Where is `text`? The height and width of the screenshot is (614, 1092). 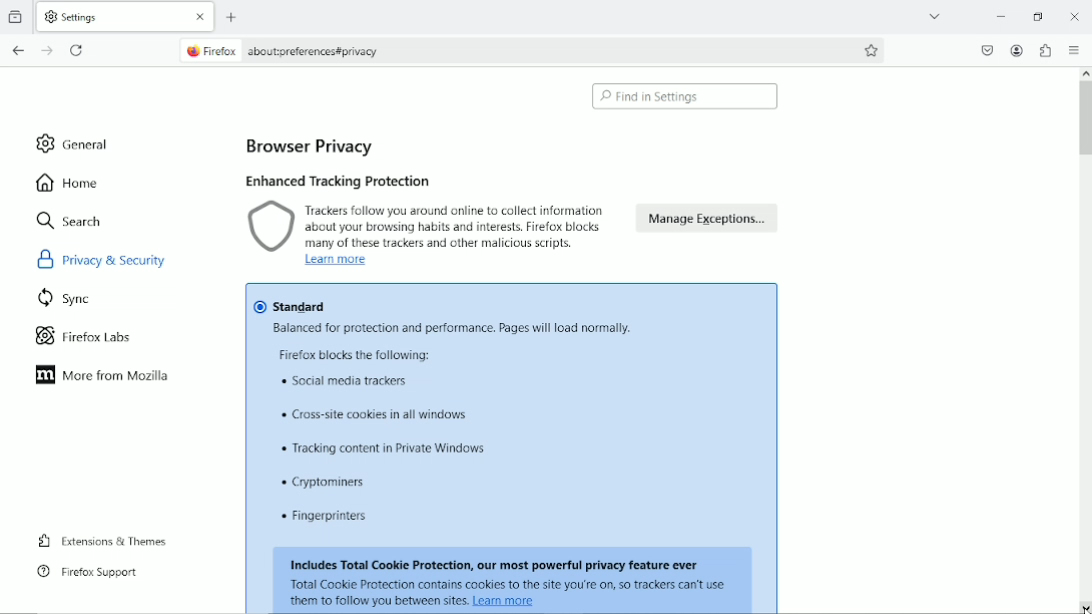
text is located at coordinates (373, 416).